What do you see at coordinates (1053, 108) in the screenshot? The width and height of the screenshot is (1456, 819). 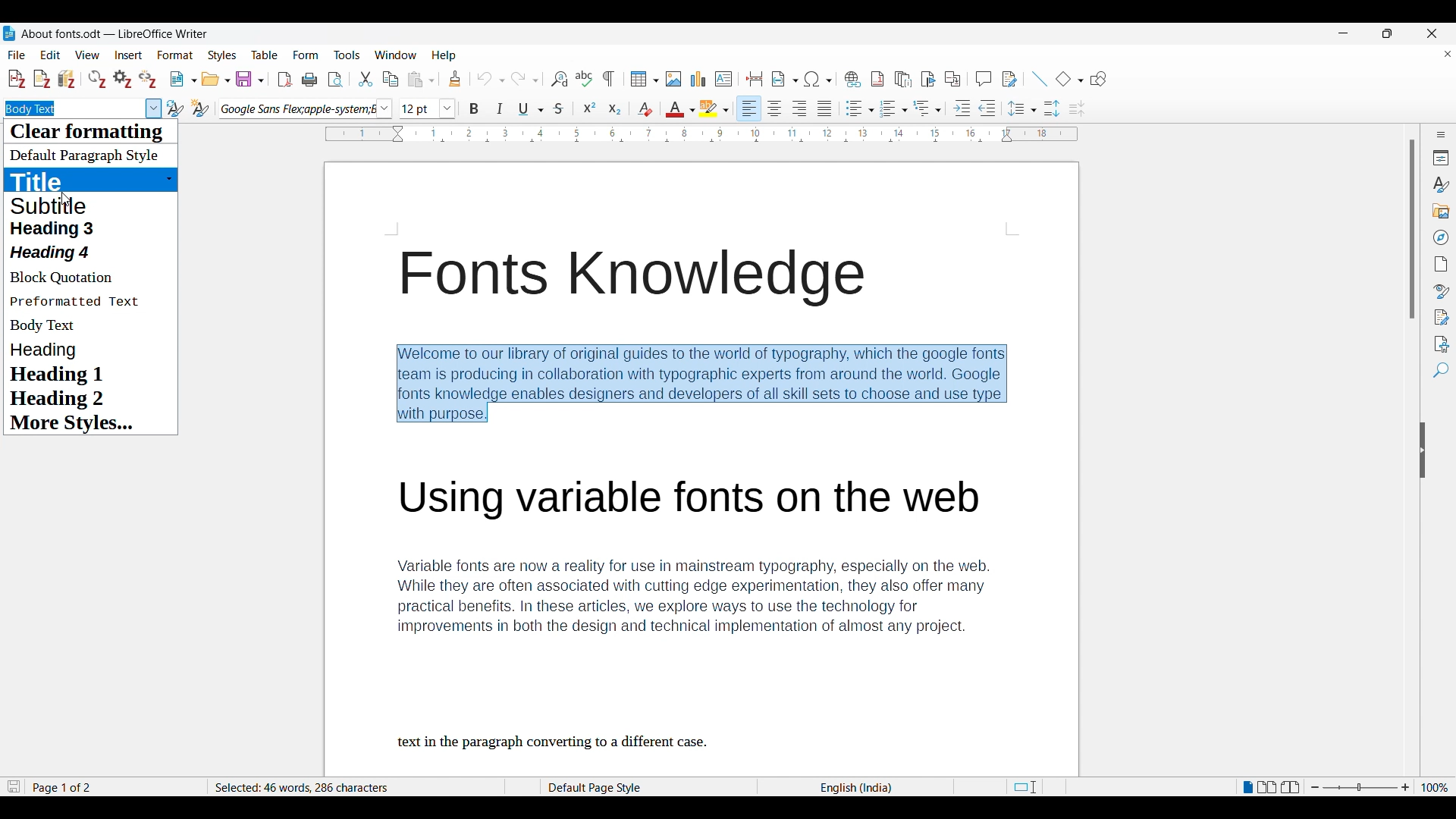 I see `Increase paragraph space` at bounding box center [1053, 108].